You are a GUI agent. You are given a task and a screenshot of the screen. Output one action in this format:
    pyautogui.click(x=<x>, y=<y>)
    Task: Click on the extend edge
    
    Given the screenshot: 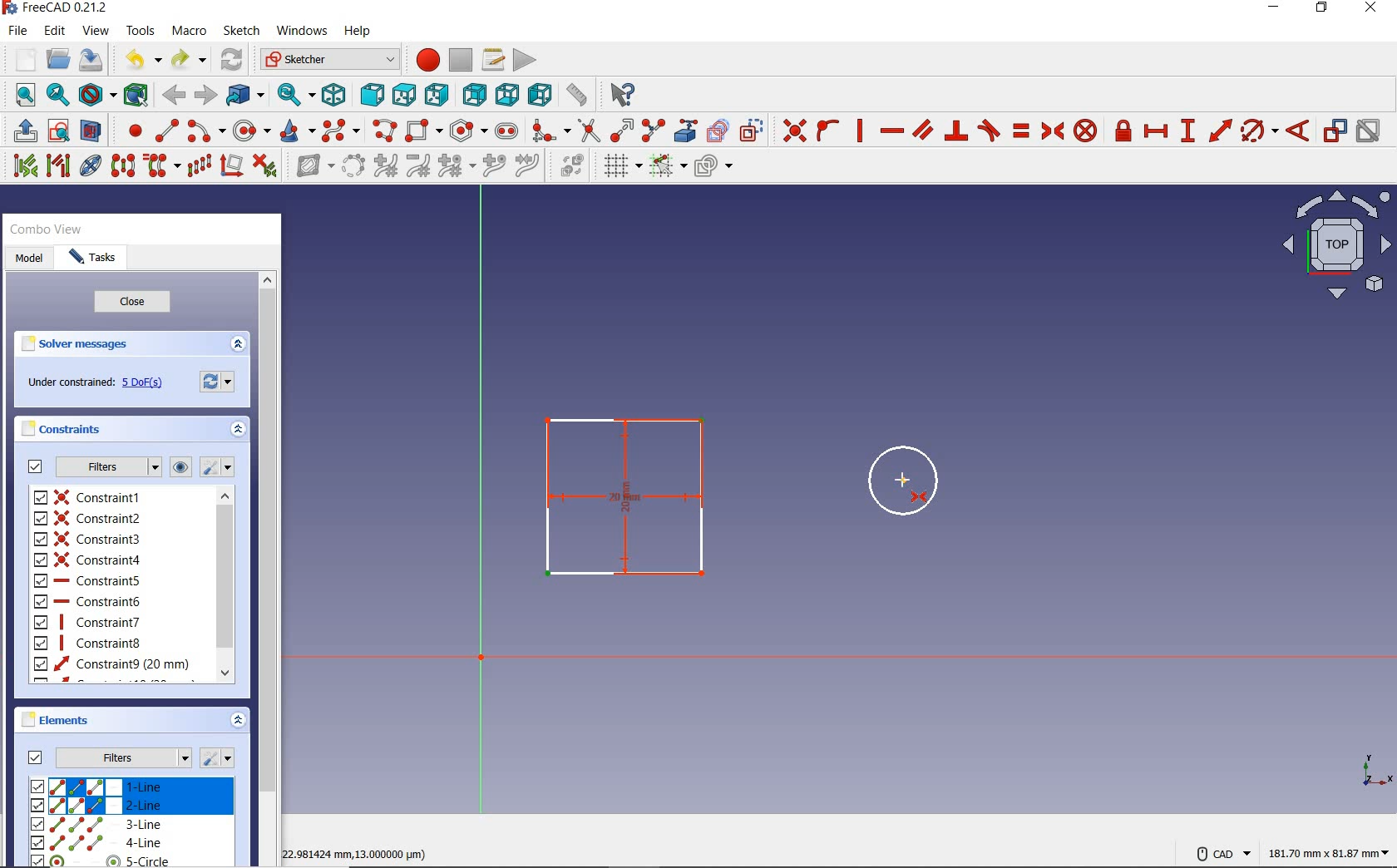 What is the action you would take?
    pyautogui.click(x=621, y=129)
    